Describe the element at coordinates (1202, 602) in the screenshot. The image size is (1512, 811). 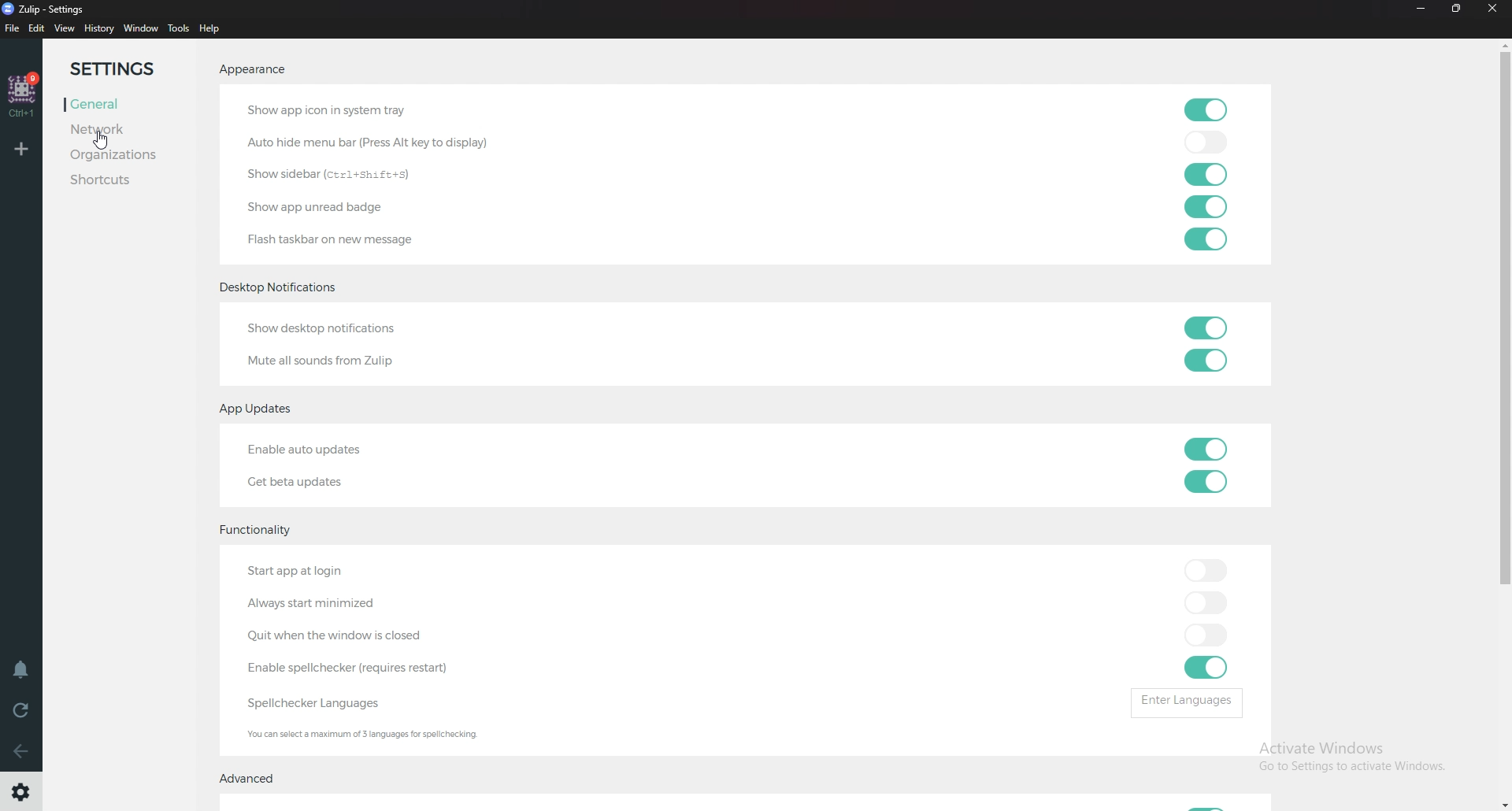
I see `toggle` at that location.